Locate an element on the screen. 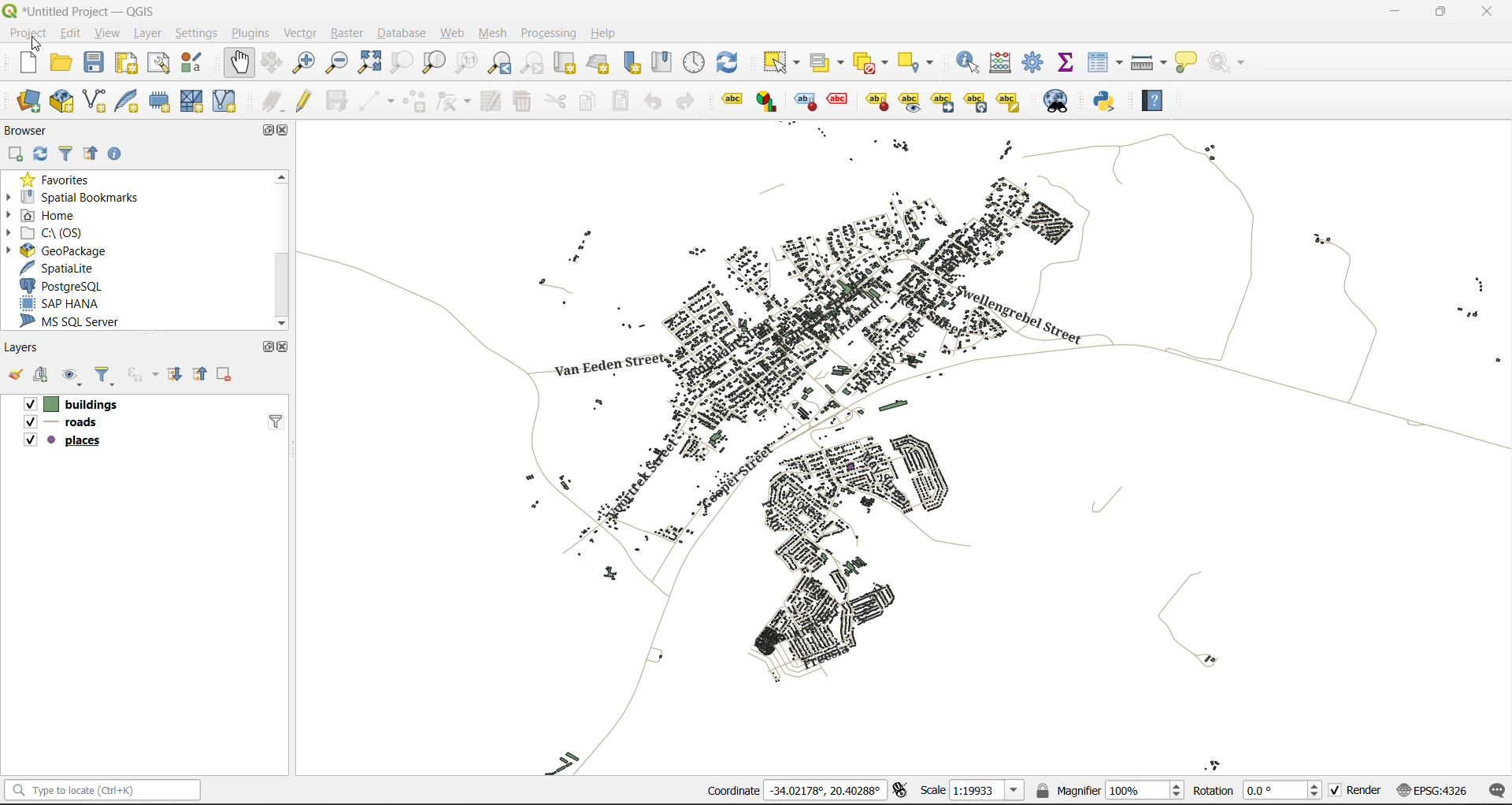 The image size is (1512, 805). spatialite is located at coordinates (61, 267).